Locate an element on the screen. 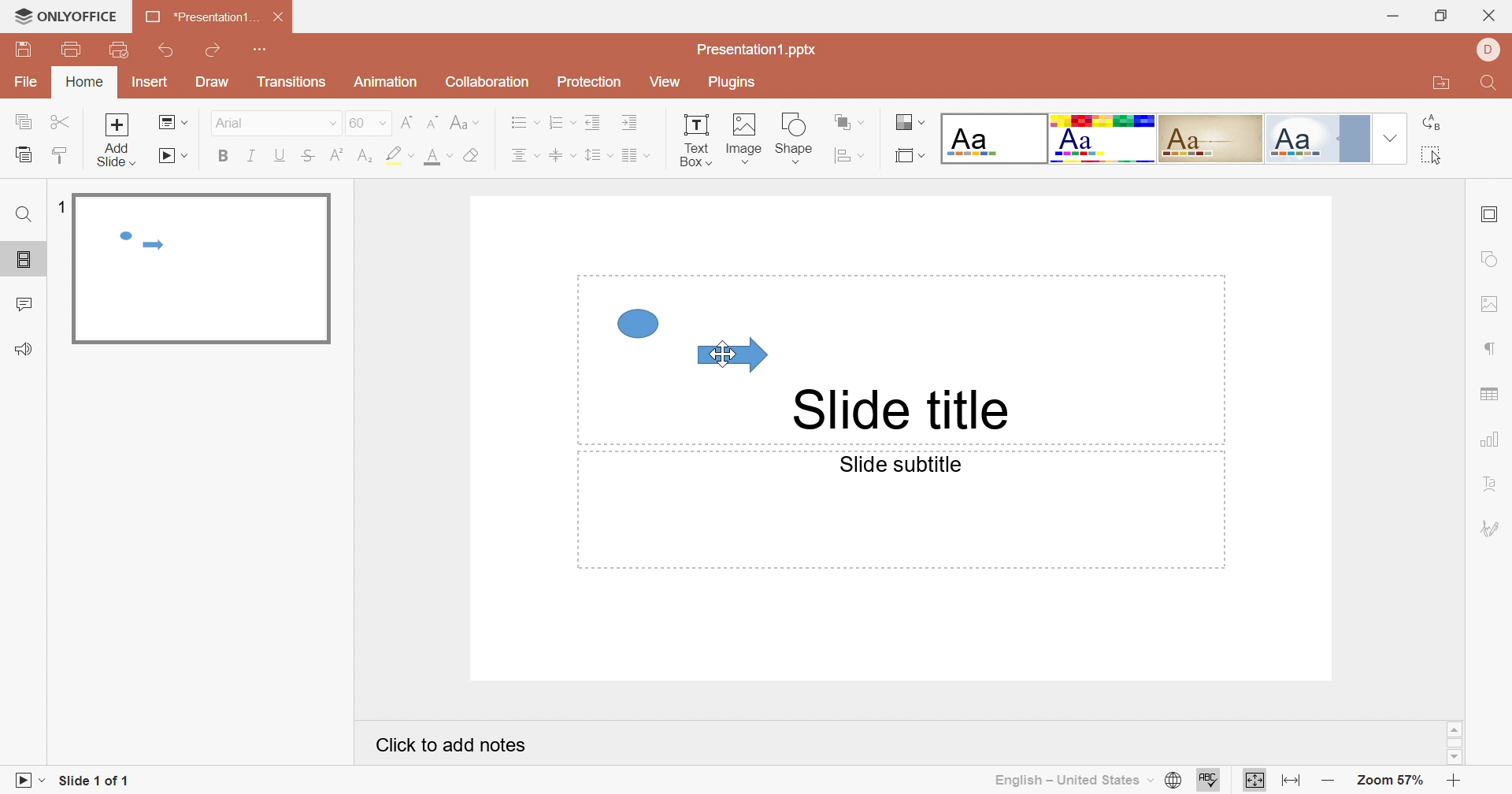  Collaboration is located at coordinates (493, 82).